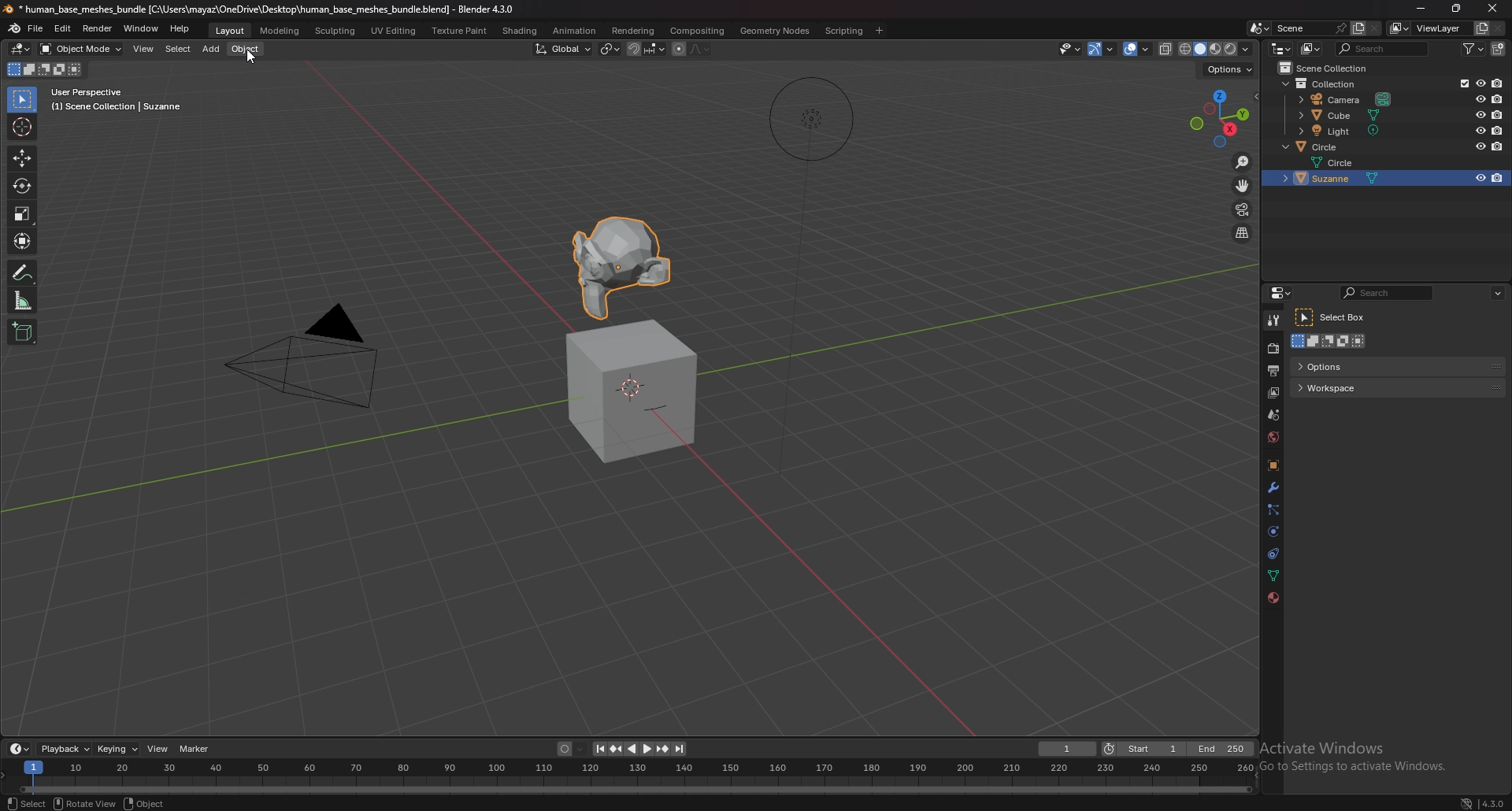  What do you see at coordinates (596, 747) in the screenshot?
I see `jump to endpoint` at bounding box center [596, 747].